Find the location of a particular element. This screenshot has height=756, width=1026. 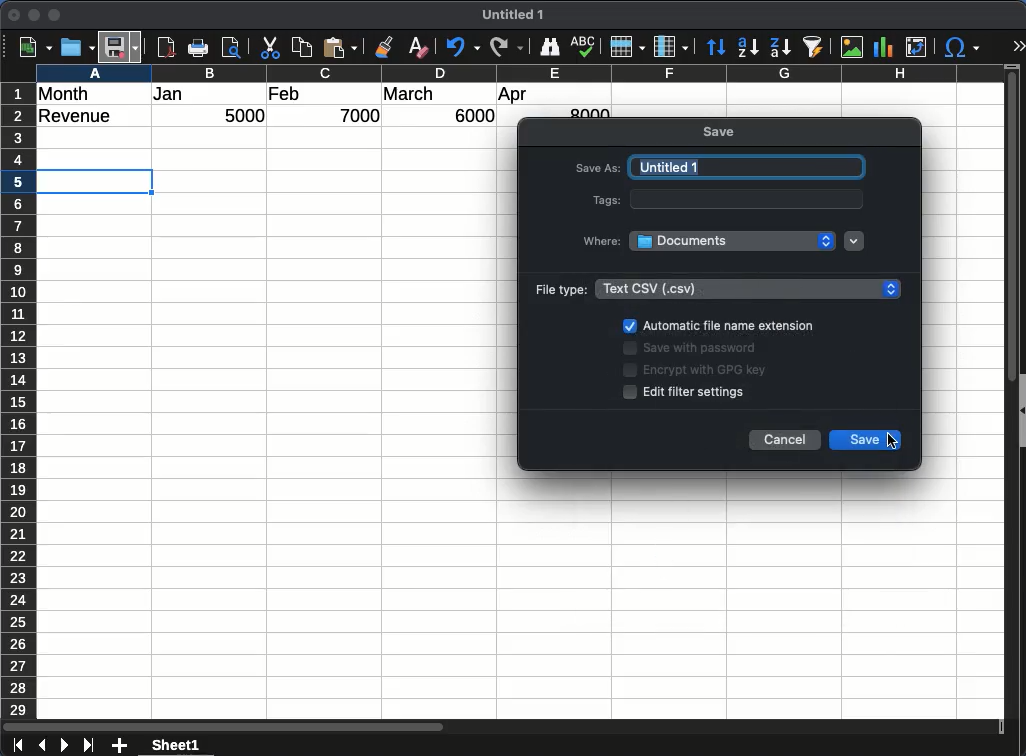

8000 is located at coordinates (587, 112).